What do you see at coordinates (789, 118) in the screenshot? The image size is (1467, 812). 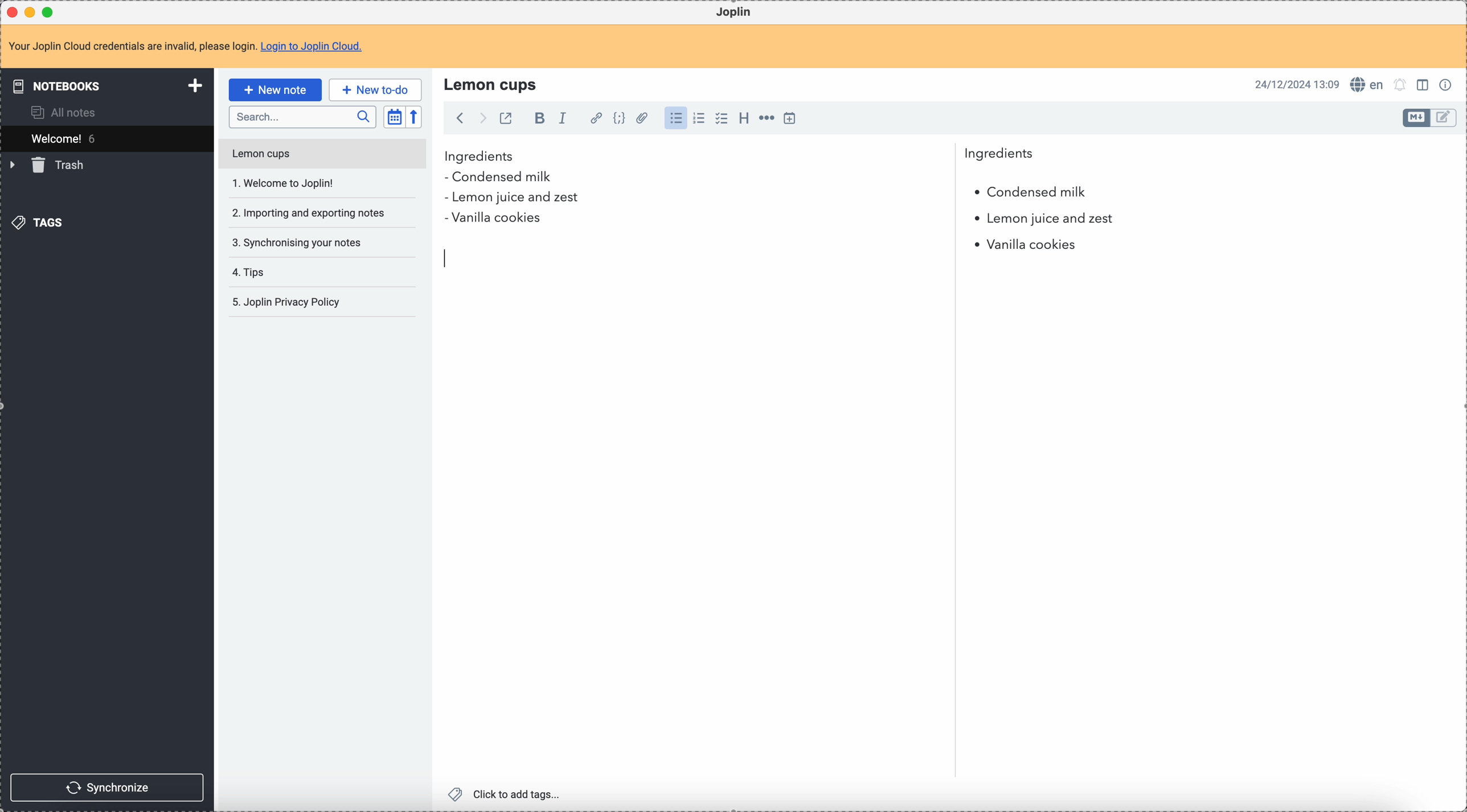 I see `insert time` at bounding box center [789, 118].